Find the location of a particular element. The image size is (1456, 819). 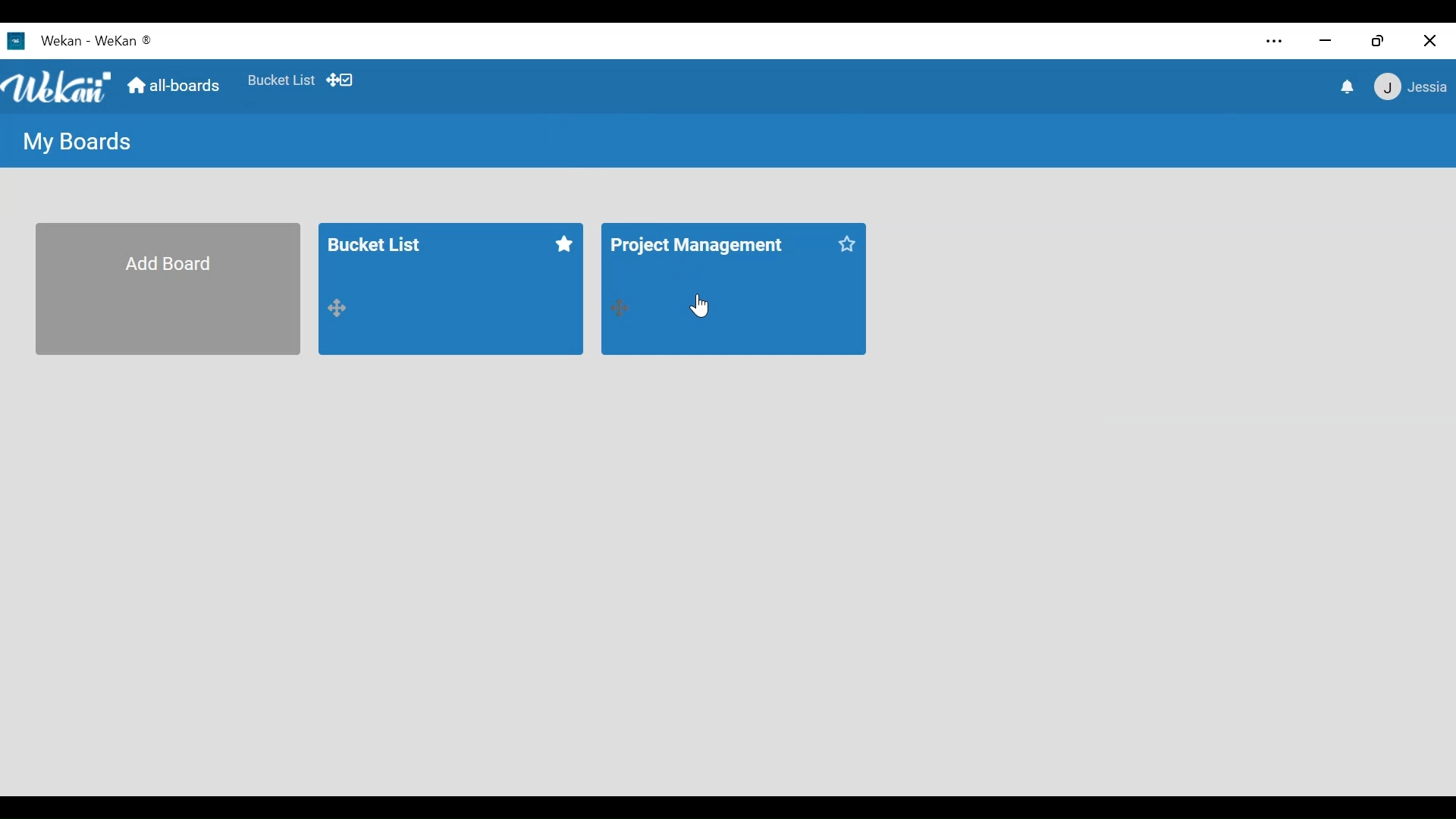

notifications is located at coordinates (1345, 88).